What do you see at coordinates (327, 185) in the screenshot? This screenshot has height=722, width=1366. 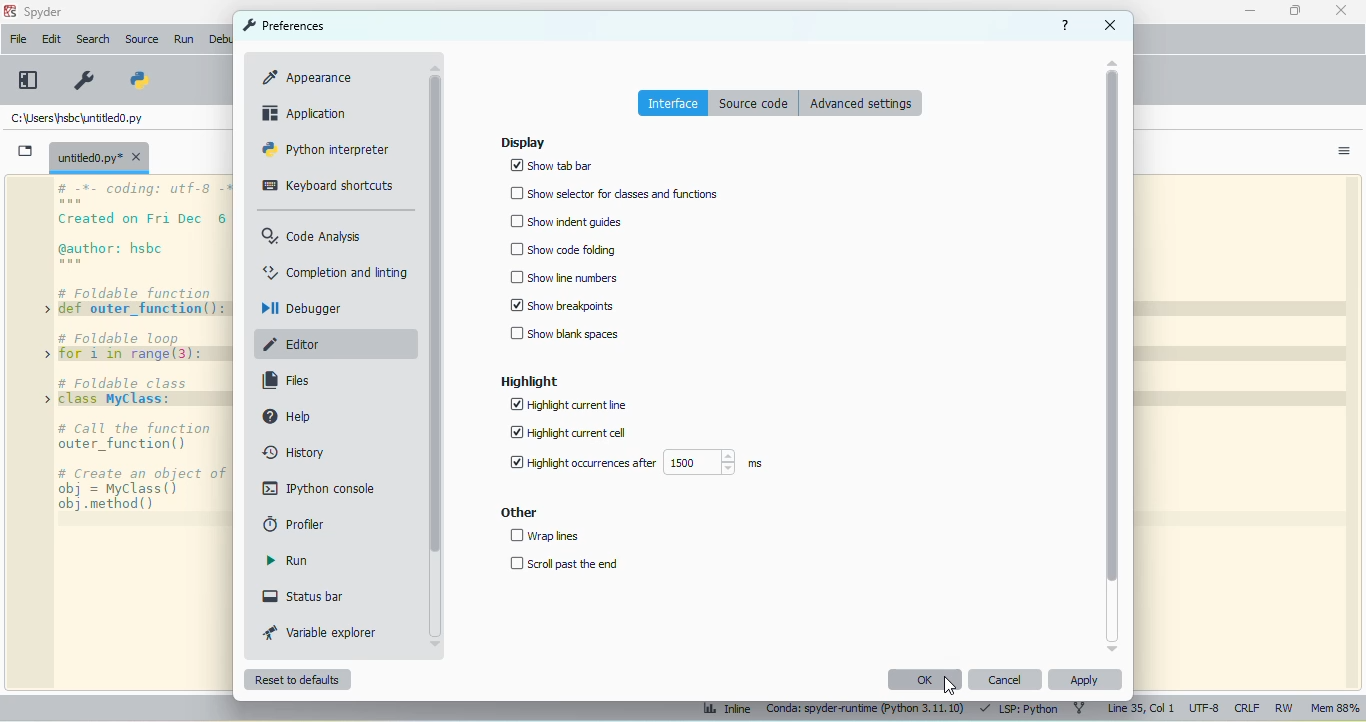 I see `keyboard shortcuts` at bounding box center [327, 185].